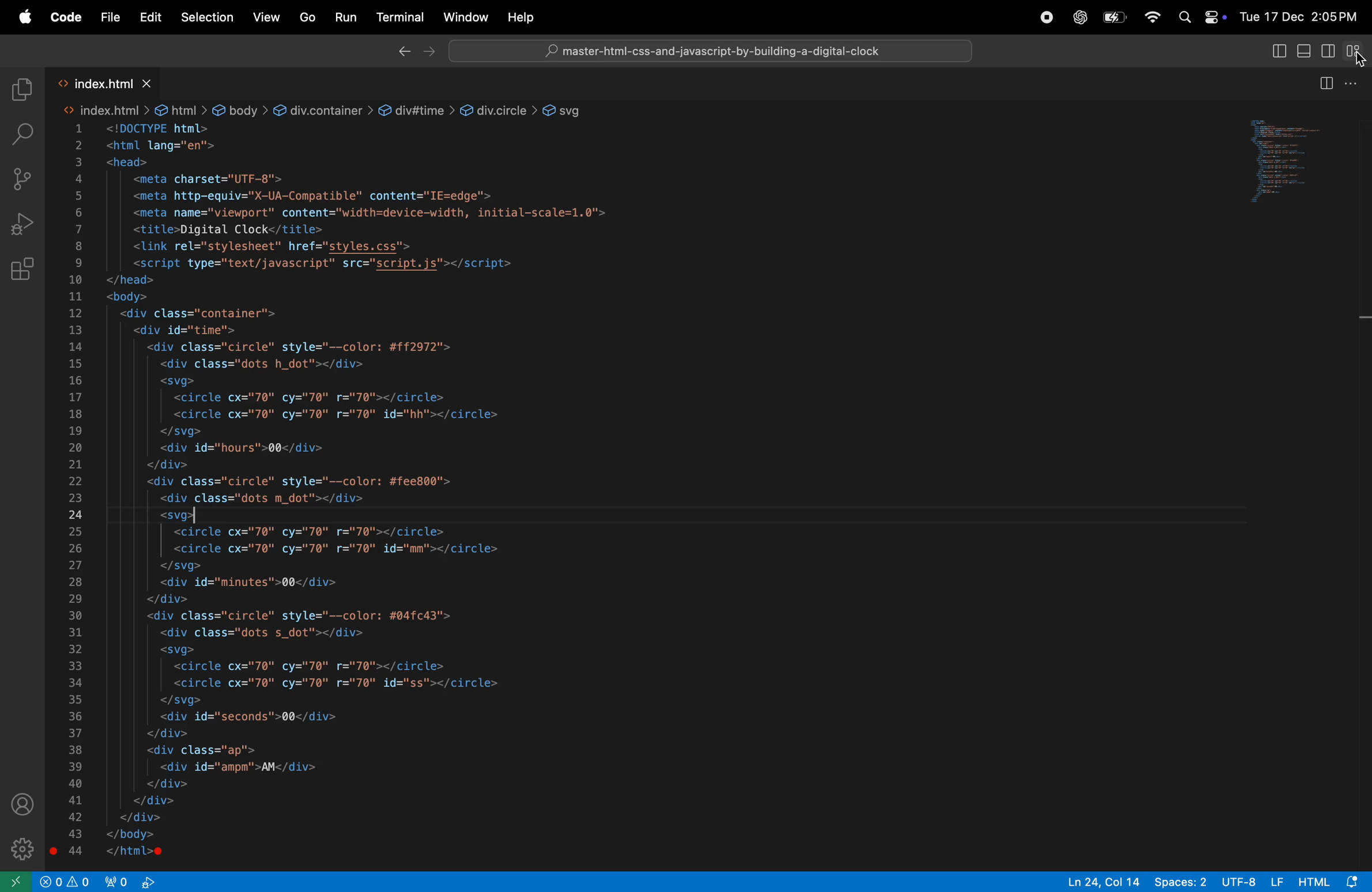 This screenshot has width=1372, height=892. What do you see at coordinates (24, 805) in the screenshot?
I see `profile` at bounding box center [24, 805].